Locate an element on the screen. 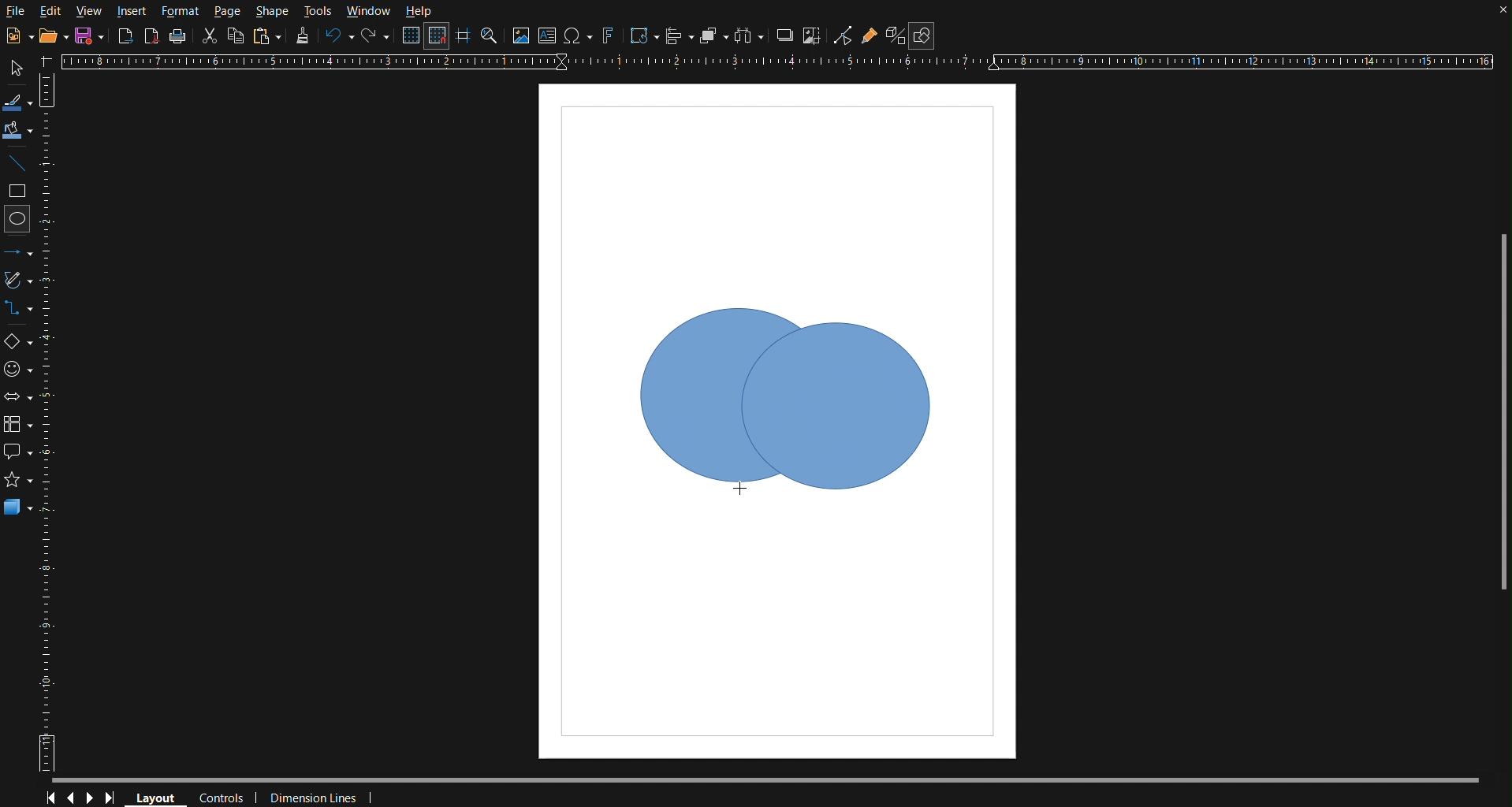 The height and width of the screenshot is (807, 1512). Cut is located at coordinates (211, 37).